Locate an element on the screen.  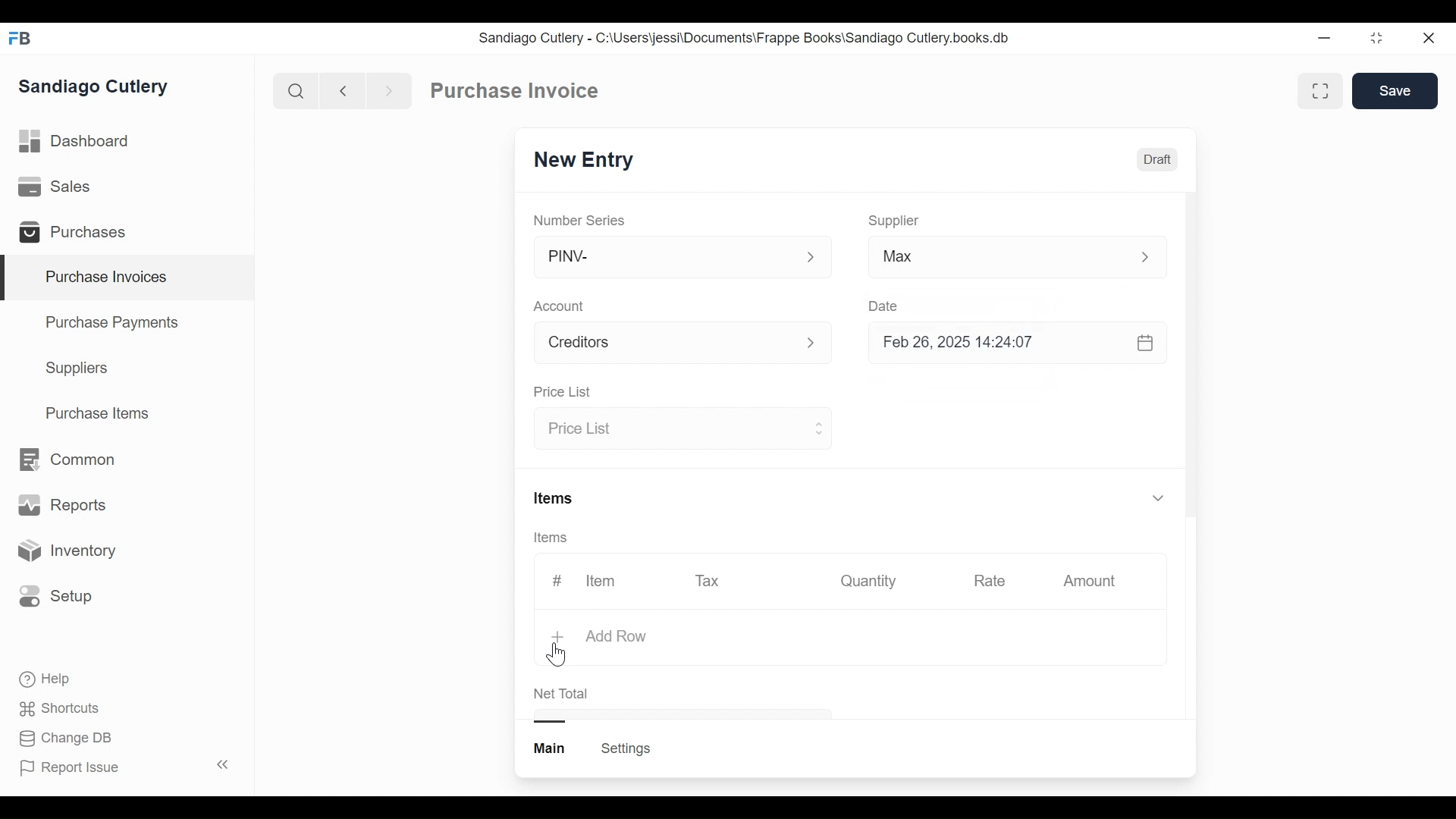
PINV- is located at coordinates (664, 257).